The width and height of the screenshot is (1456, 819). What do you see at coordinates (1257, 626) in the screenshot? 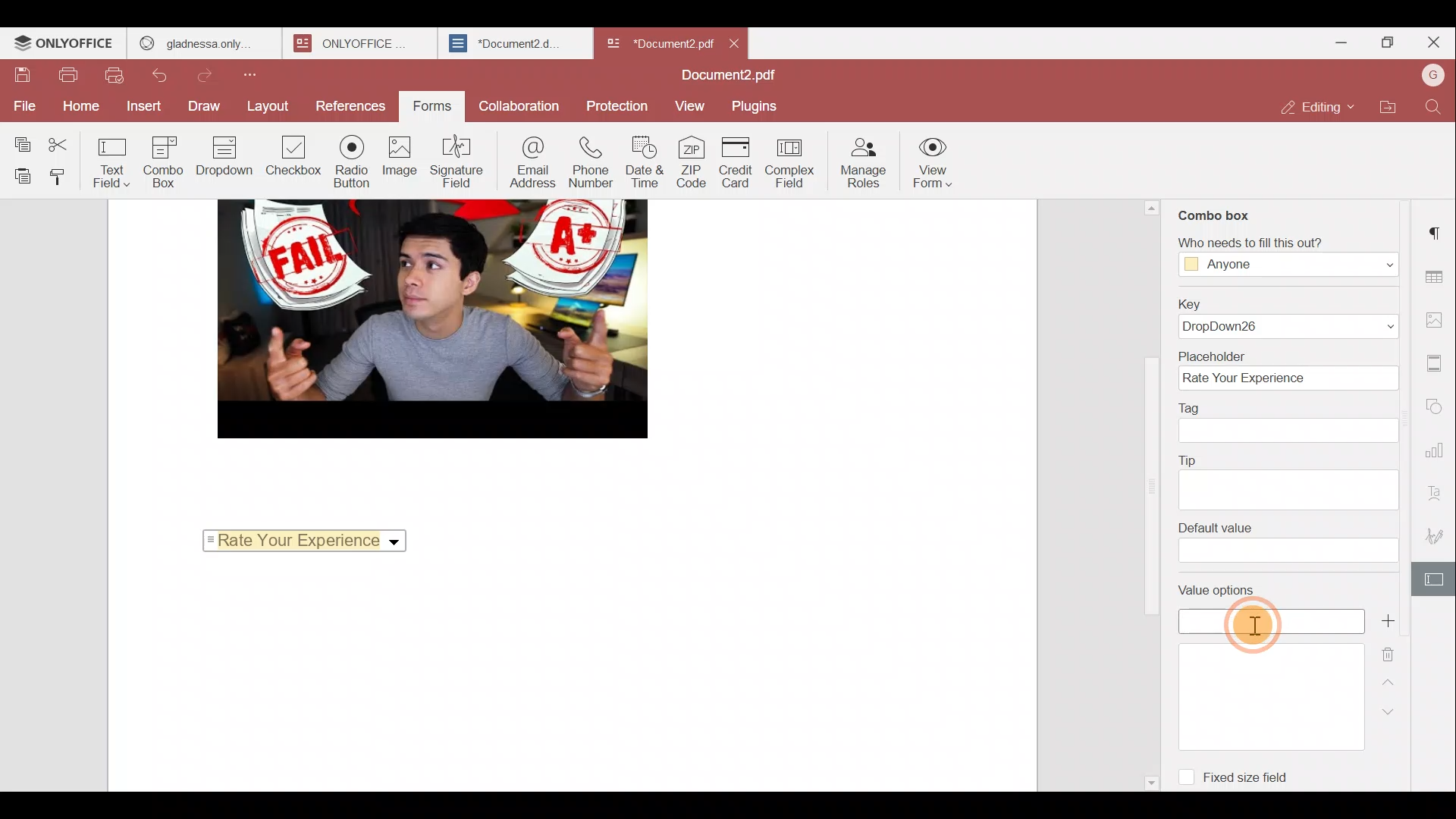
I see `Cursor` at bounding box center [1257, 626].